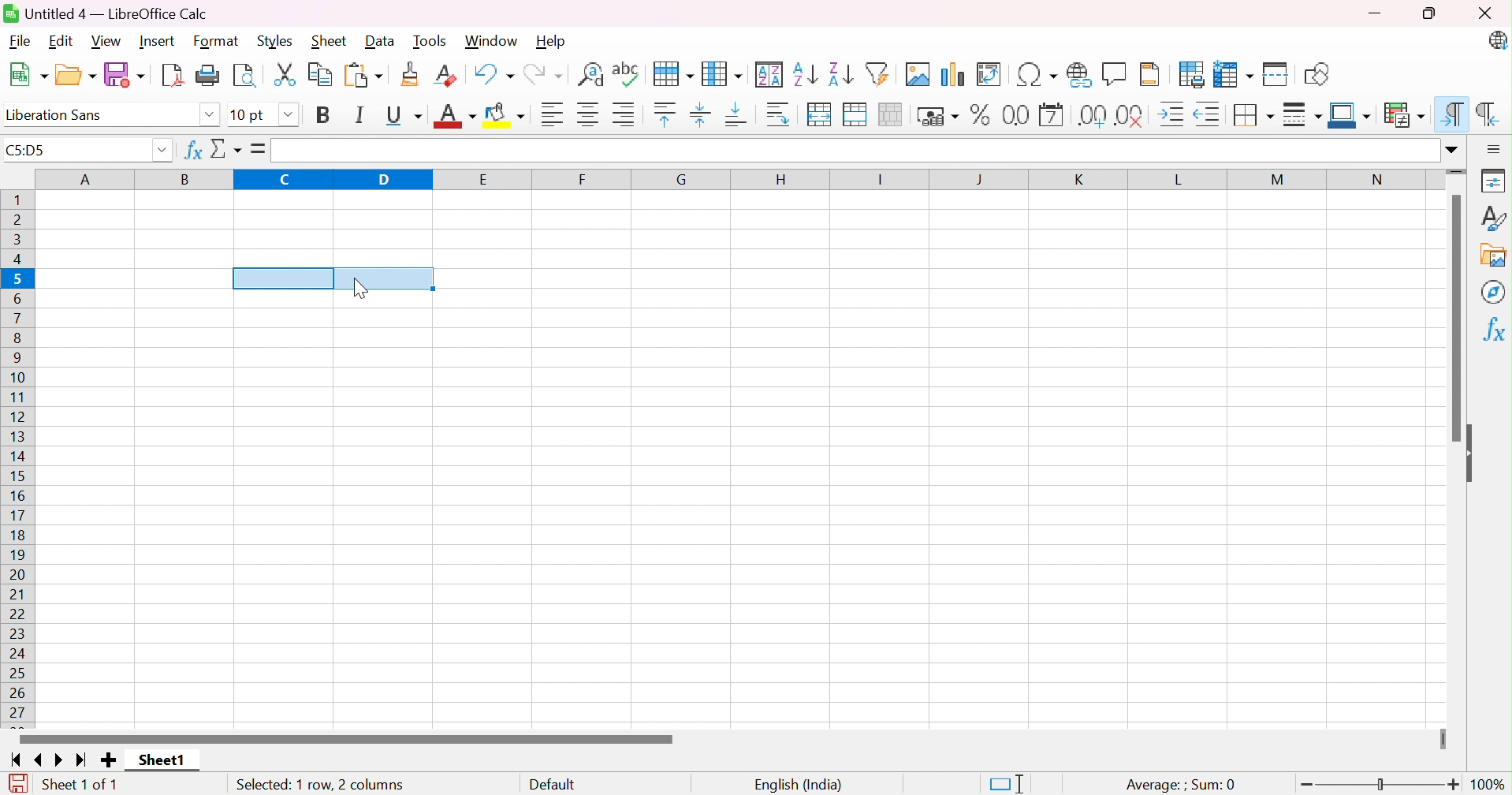 The image size is (1512, 795). What do you see at coordinates (324, 115) in the screenshot?
I see `Bold` at bounding box center [324, 115].